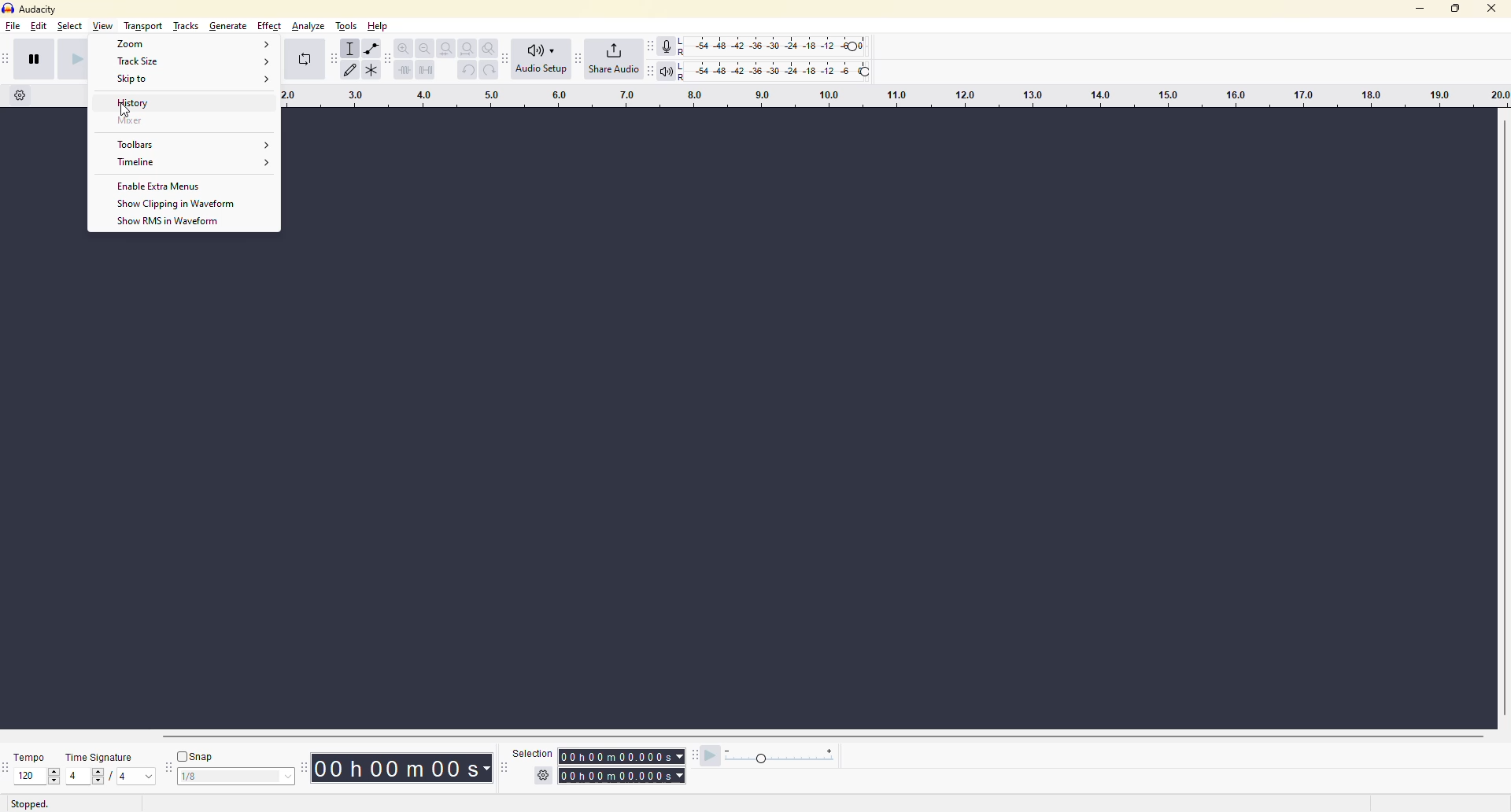  What do you see at coordinates (488, 46) in the screenshot?
I see `toggle zoom` at bounding box center [488, 46].